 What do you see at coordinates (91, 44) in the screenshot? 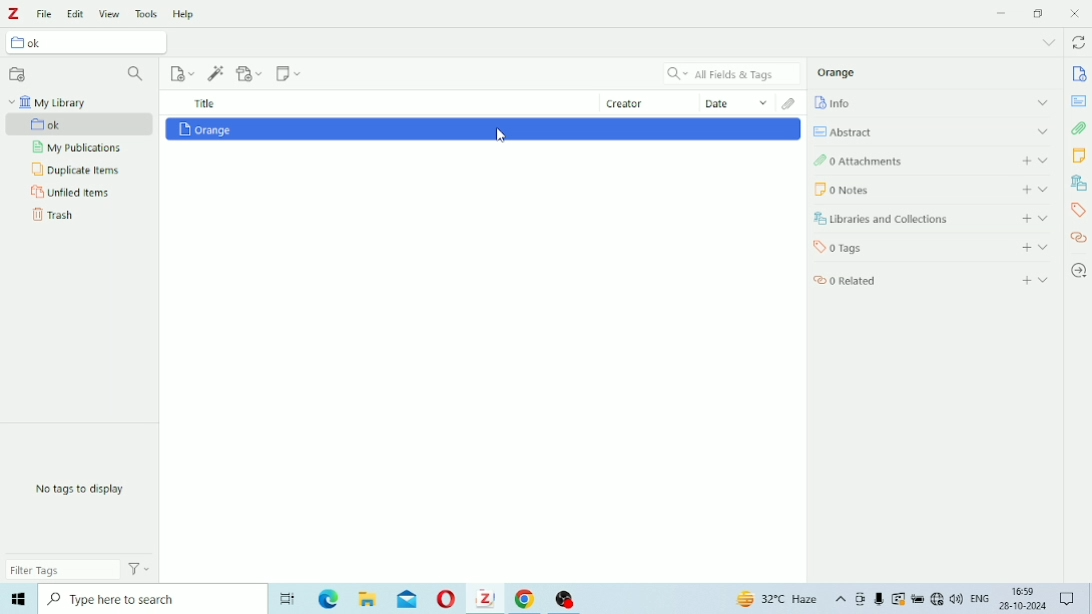
I see `ok` at bounding box center [91, 44].